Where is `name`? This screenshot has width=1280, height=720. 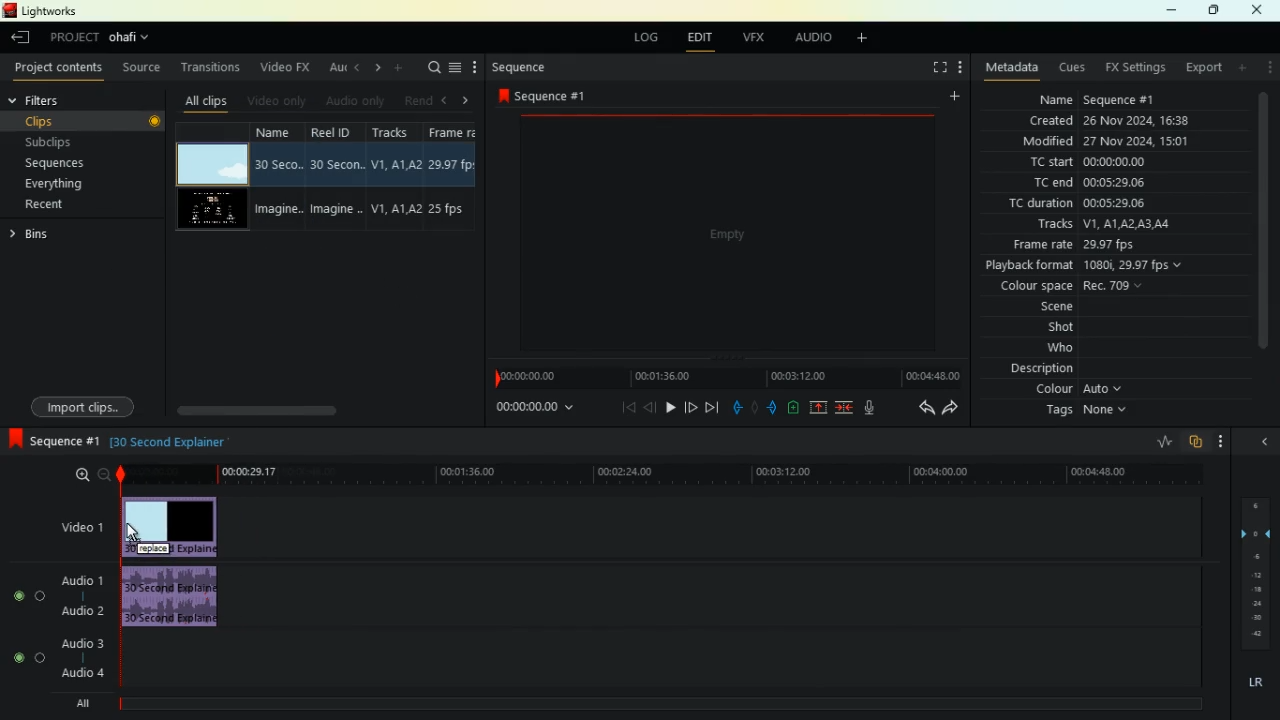 name is located at coordinates (1094, 101).